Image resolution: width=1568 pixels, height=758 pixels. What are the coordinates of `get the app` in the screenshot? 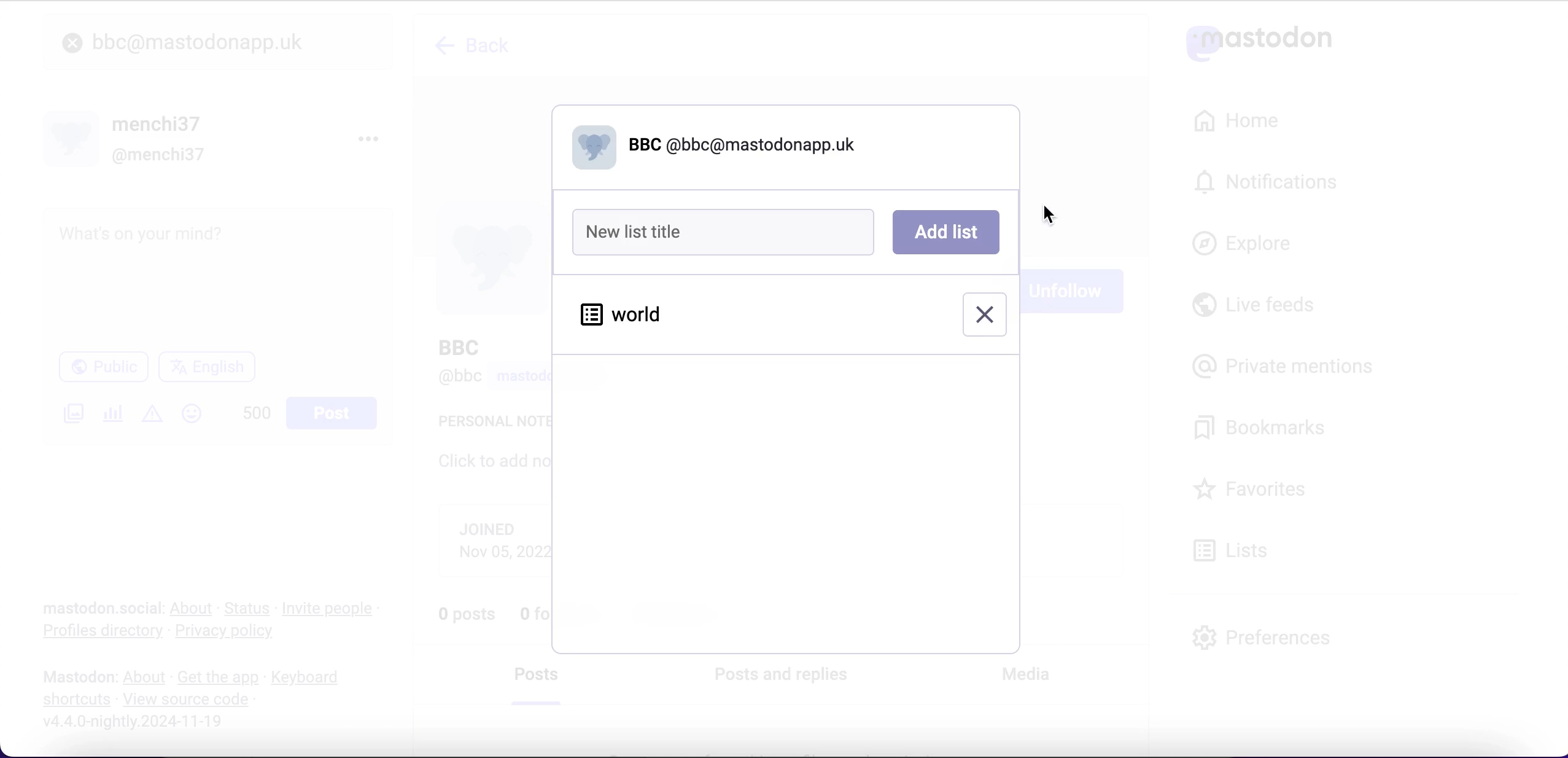 It's located at (217, 677).